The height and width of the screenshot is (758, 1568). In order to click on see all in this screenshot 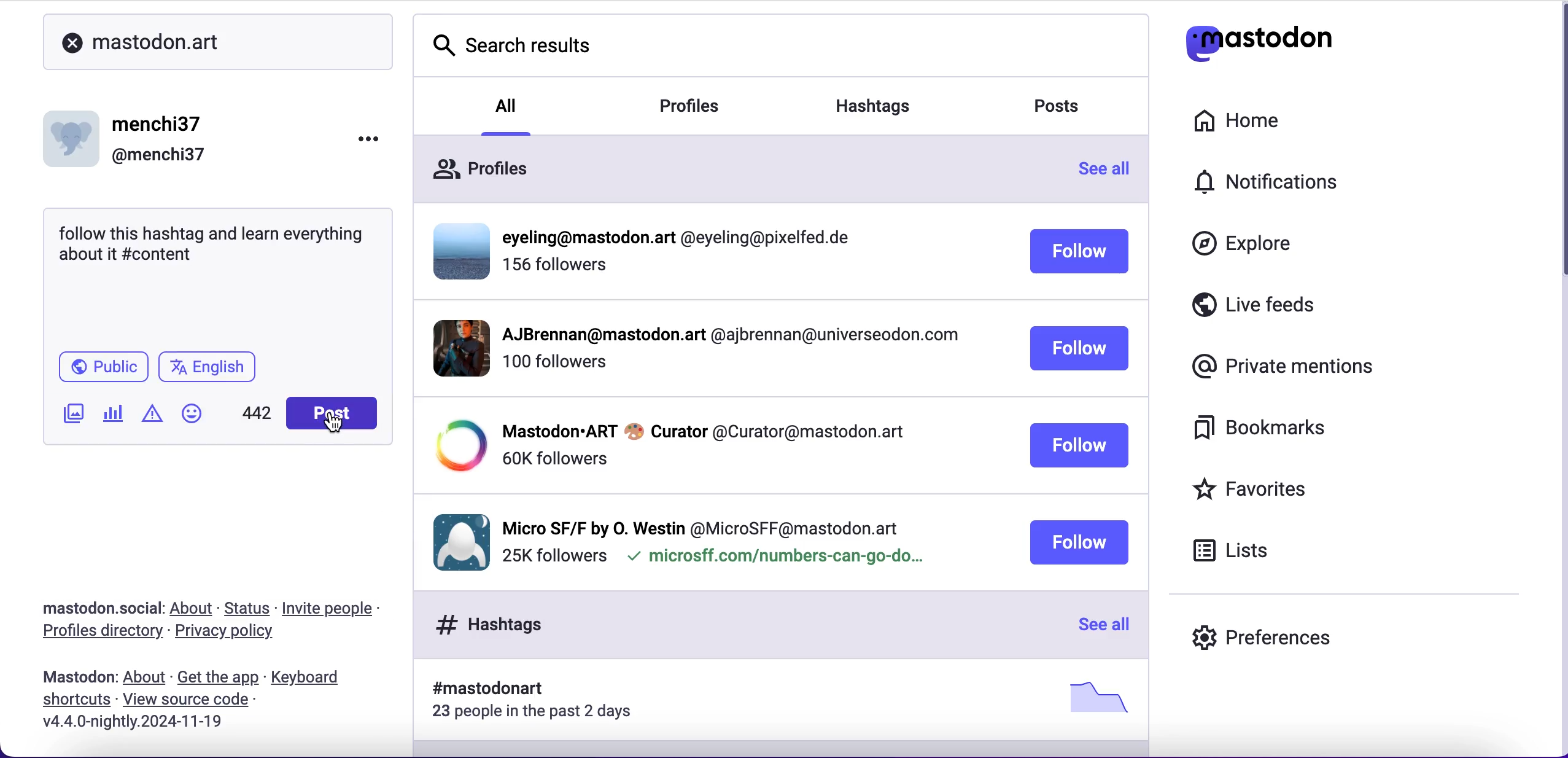, I will do `click(1111, 173)`.